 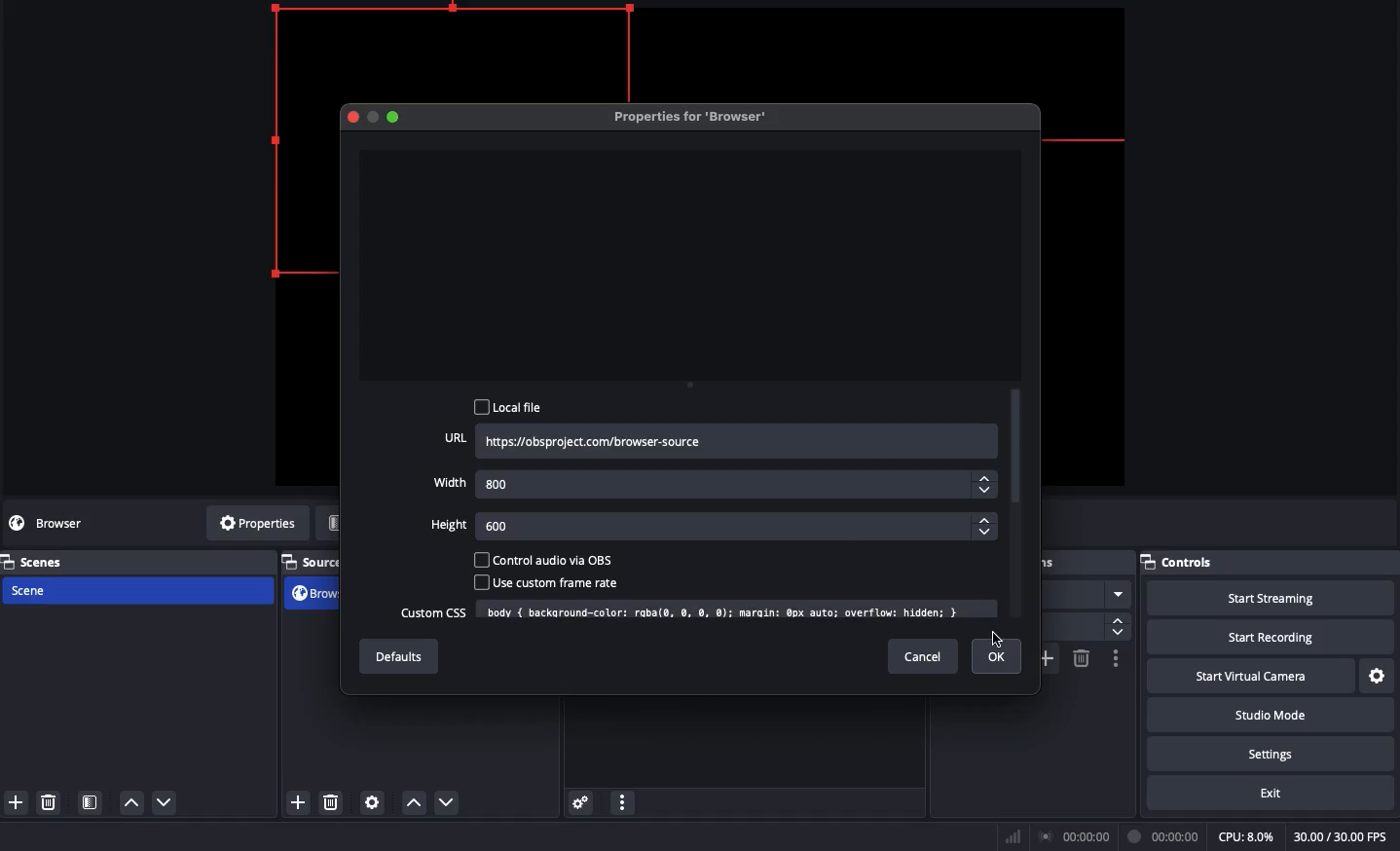 What do you see at coordinates (375, 120) in the screenshot?
I see `RESTORE` at bounding box center [375, 120].